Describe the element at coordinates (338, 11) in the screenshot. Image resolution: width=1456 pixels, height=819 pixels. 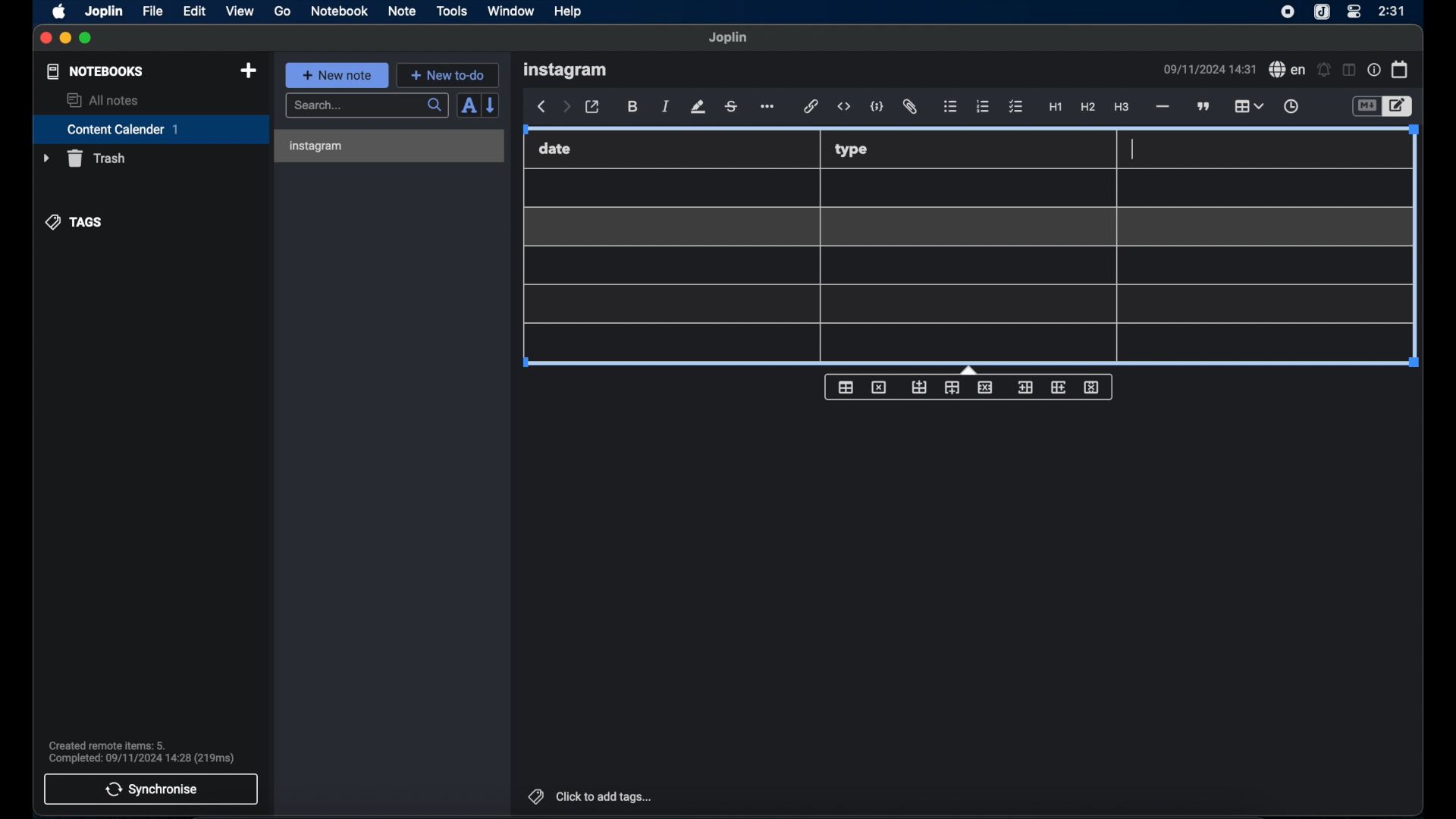
I see `notebook` at that location.